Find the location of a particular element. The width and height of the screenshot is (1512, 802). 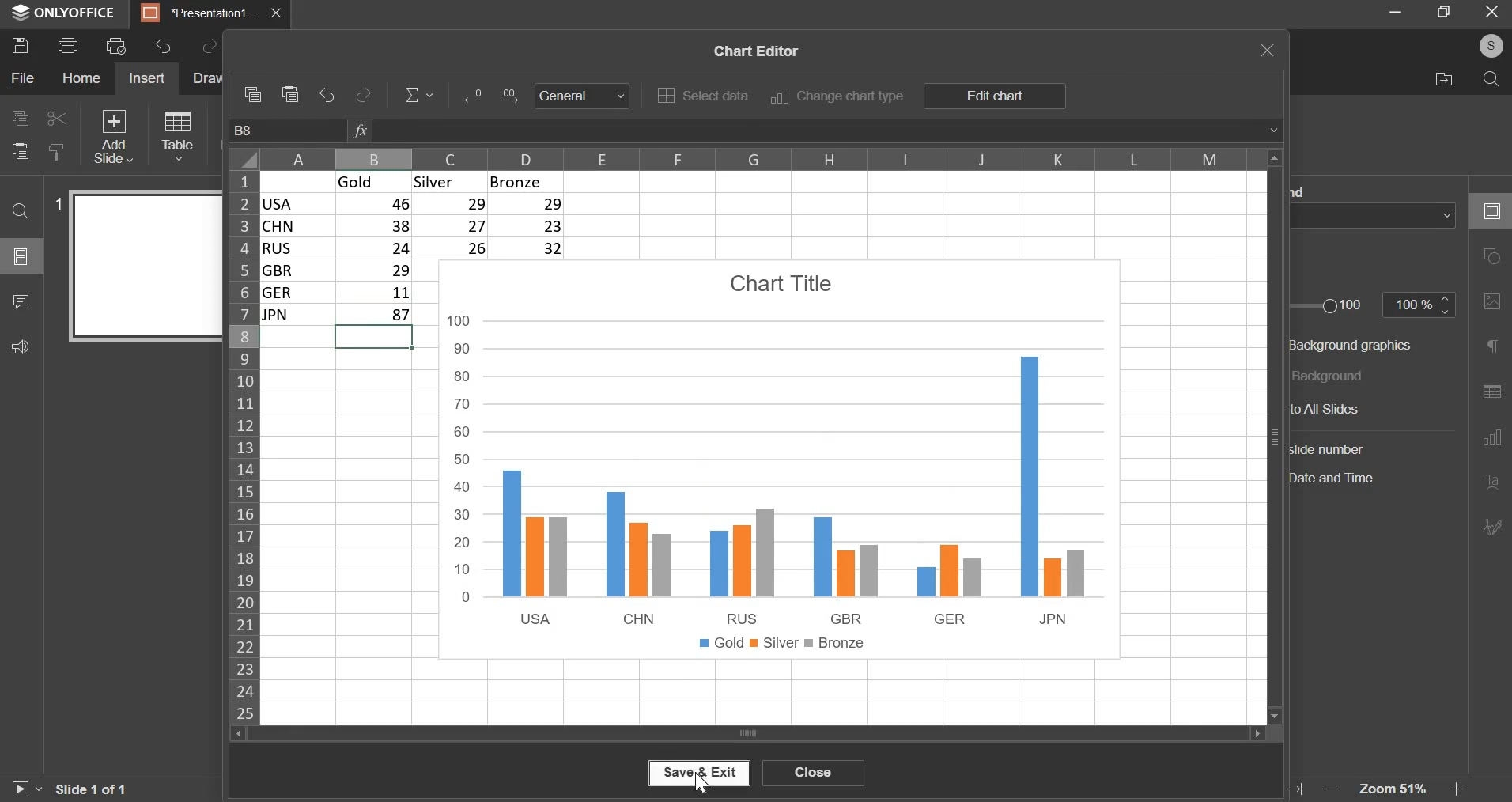

38 is located at coordinates (375, 227).